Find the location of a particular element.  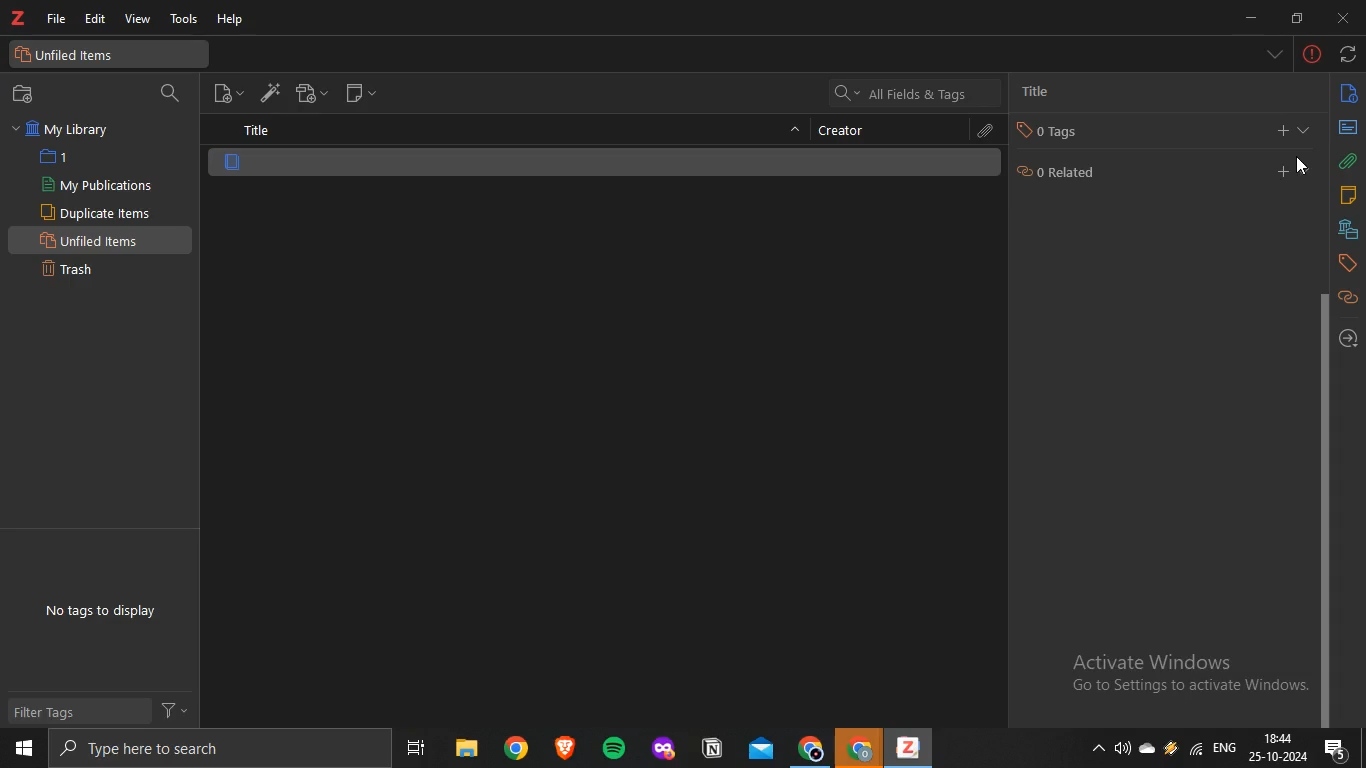

tags is located at coordinates (1347, 264).